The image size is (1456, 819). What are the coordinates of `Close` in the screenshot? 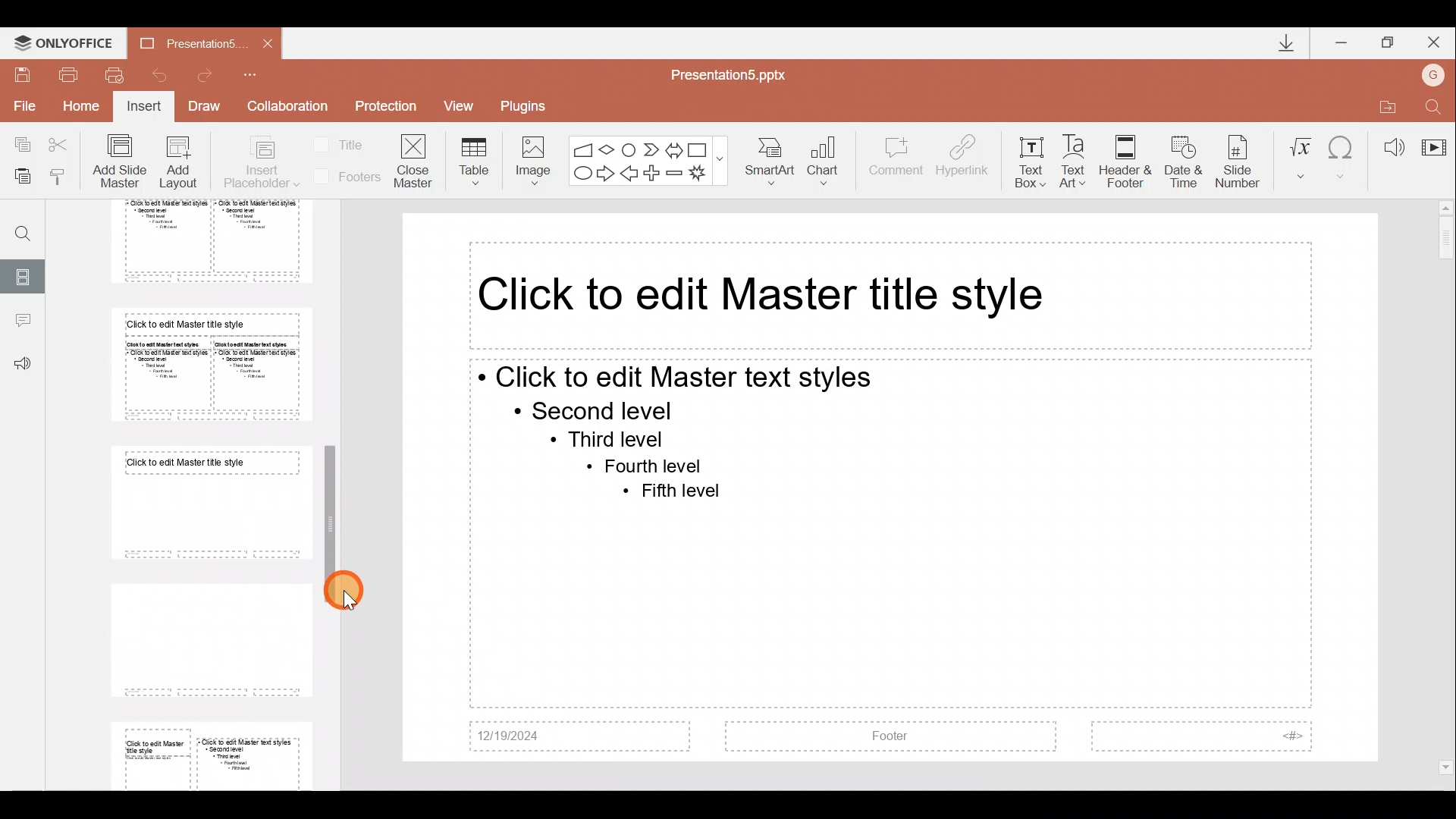 It's located at (1436, 39).